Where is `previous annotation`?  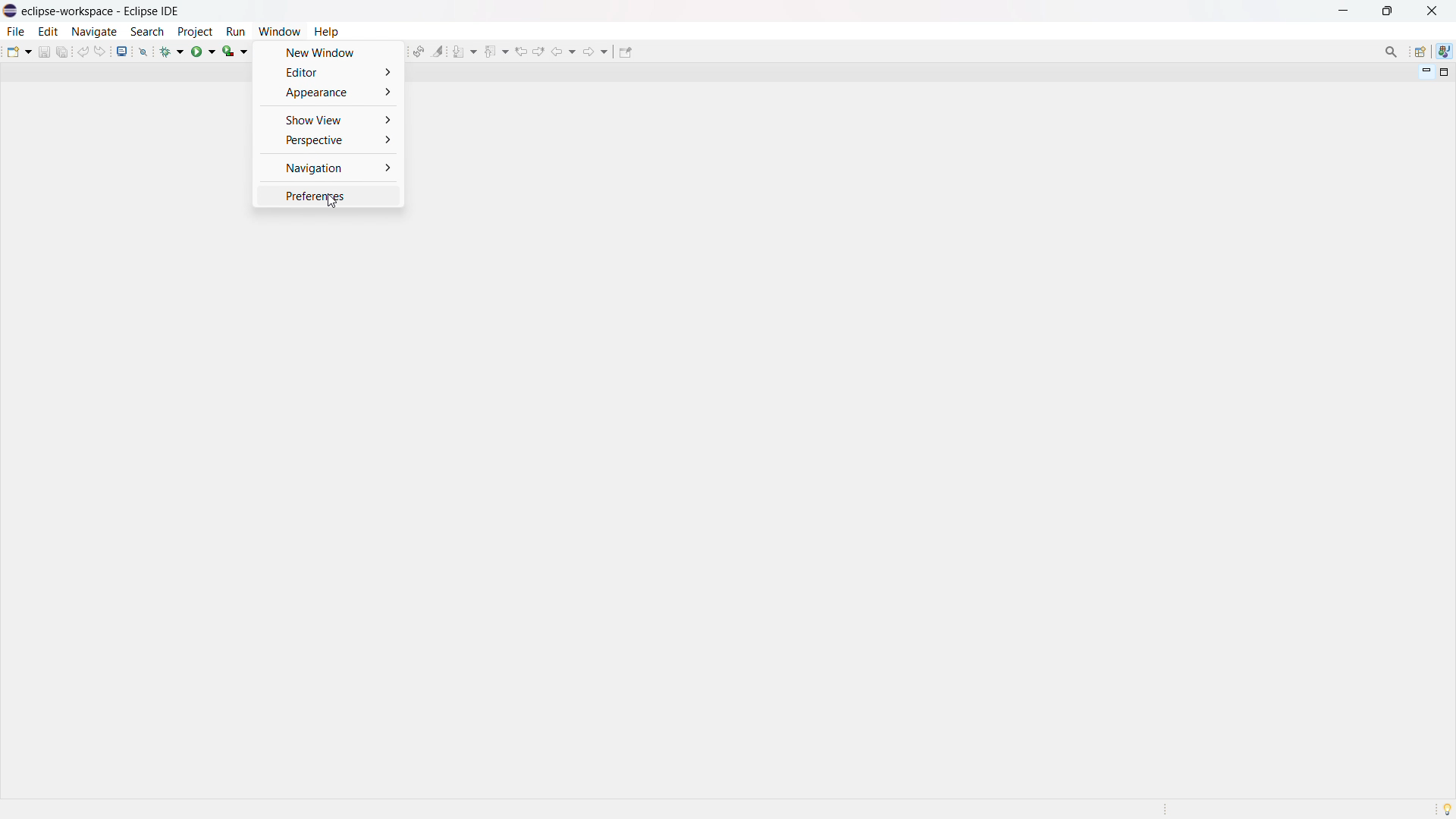 previous annotation is located at coordinates (496, 51).